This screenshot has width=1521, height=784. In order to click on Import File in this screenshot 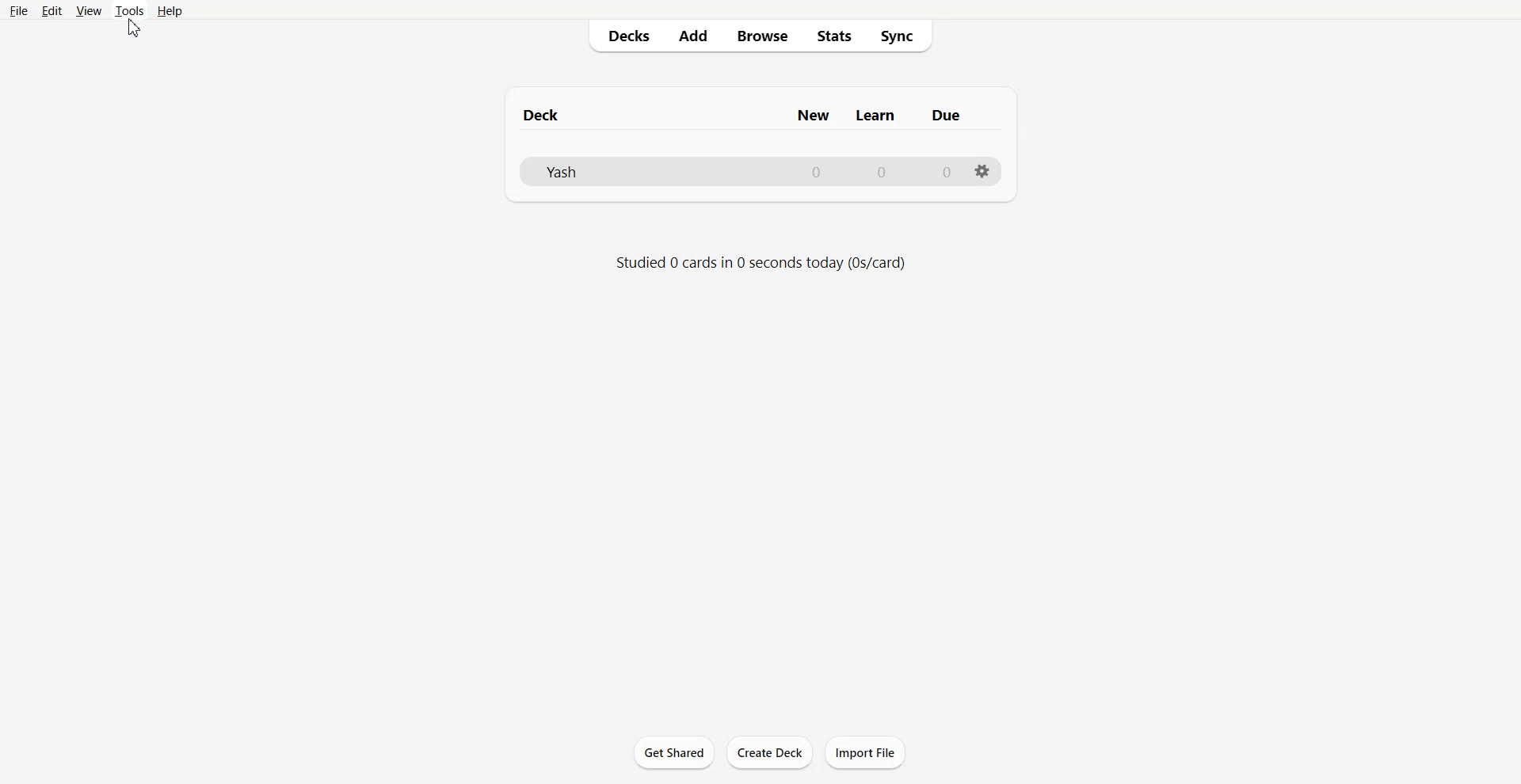, I will do `click(865, 752)`.